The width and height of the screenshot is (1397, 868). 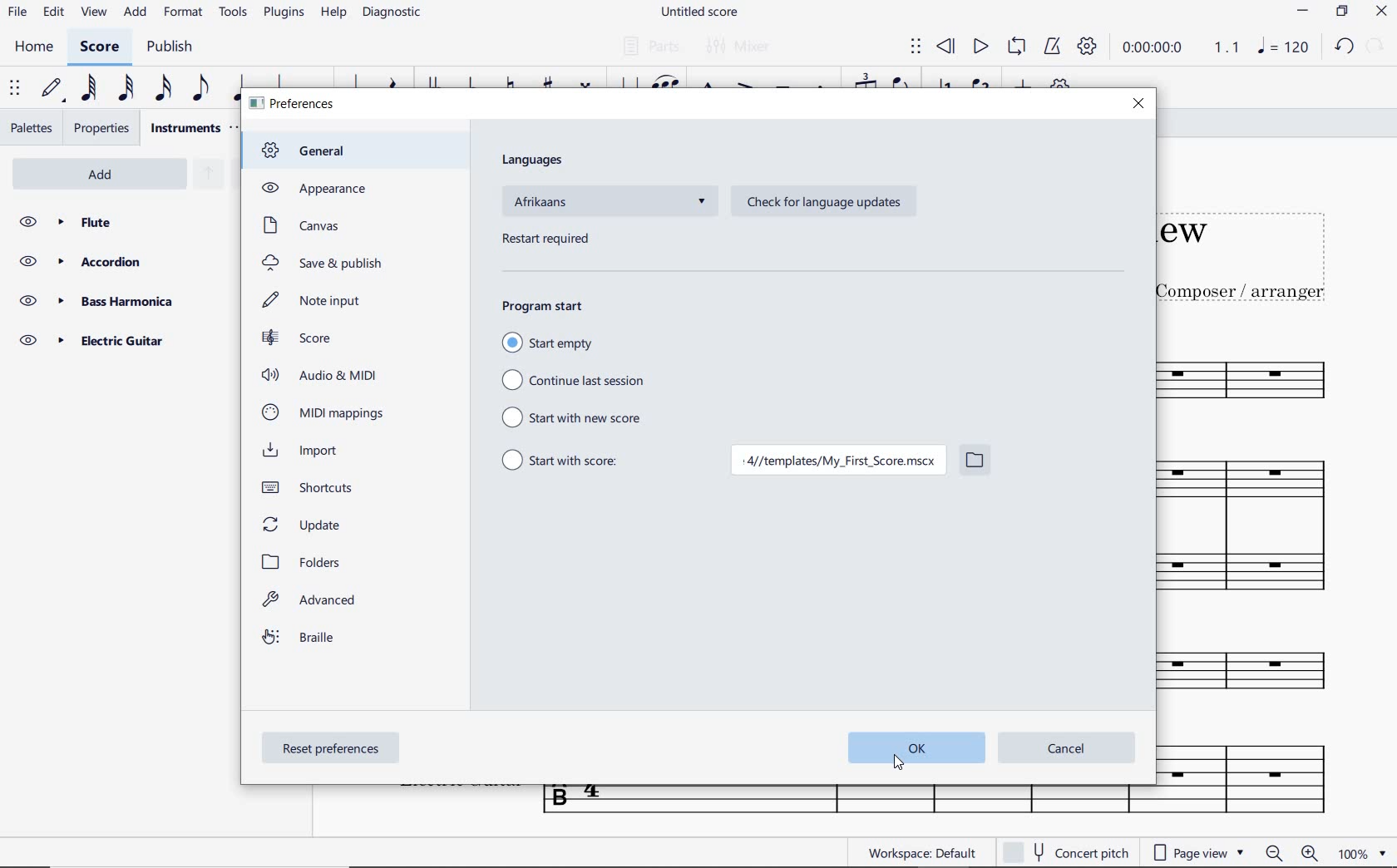 I want to click on eighth note, so click(x=199, y=89).